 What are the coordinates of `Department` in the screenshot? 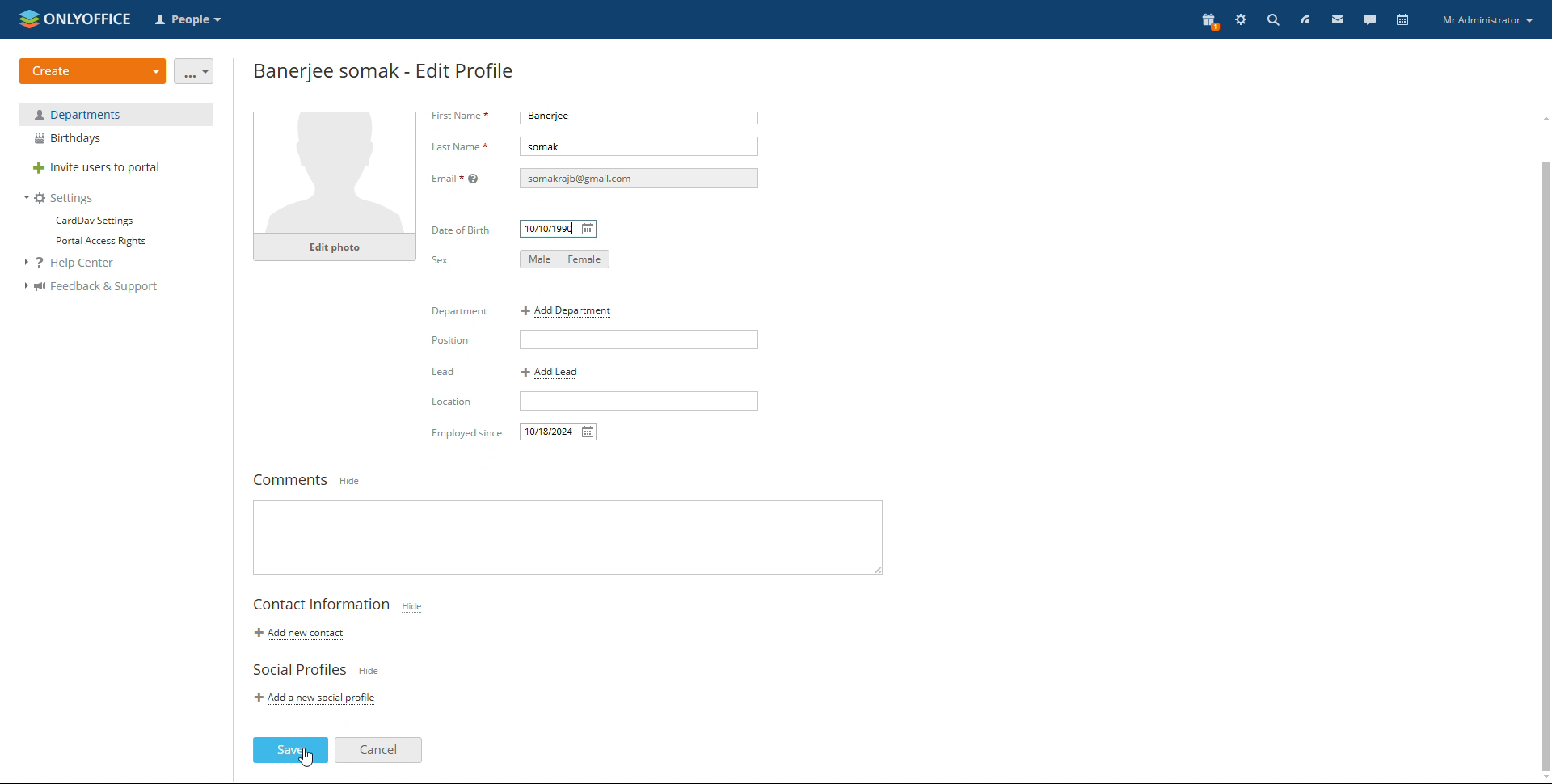 It's located at (460, 312).